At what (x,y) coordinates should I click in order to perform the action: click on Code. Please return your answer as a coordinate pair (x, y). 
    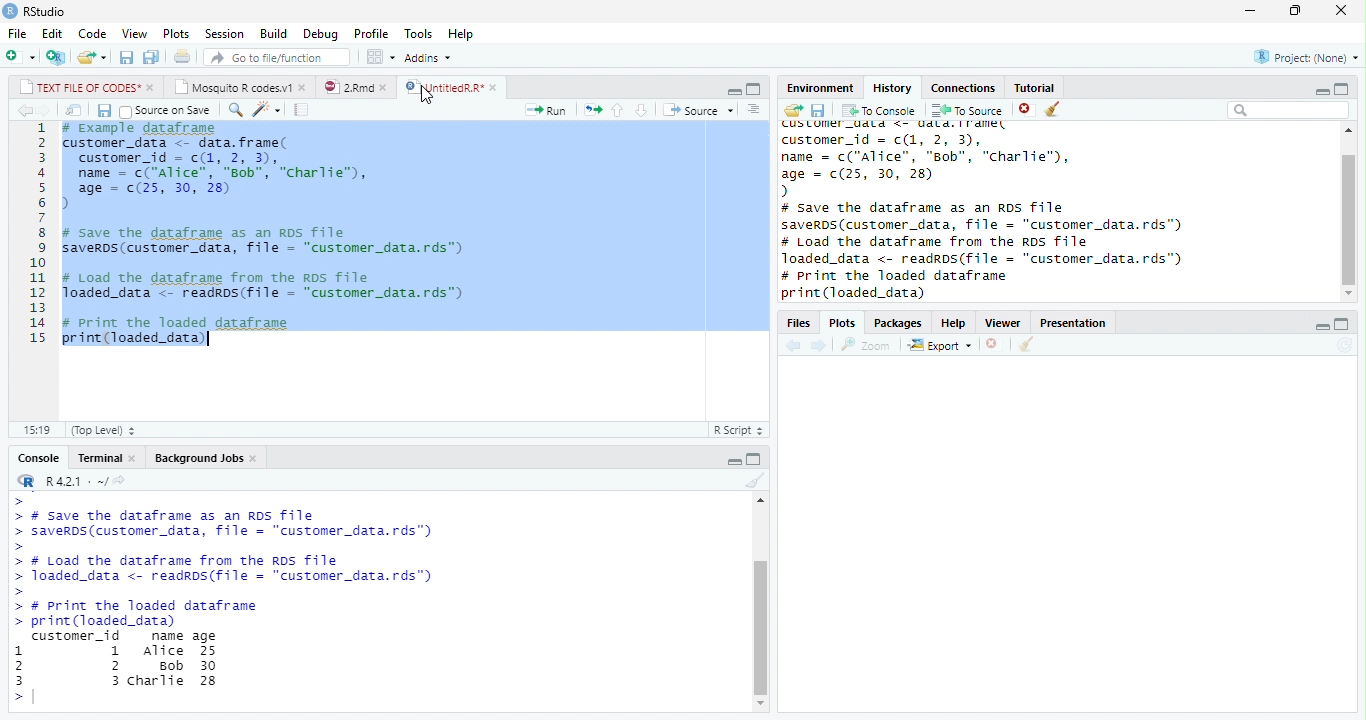
    Looking at the image, I should click on (92, 34).